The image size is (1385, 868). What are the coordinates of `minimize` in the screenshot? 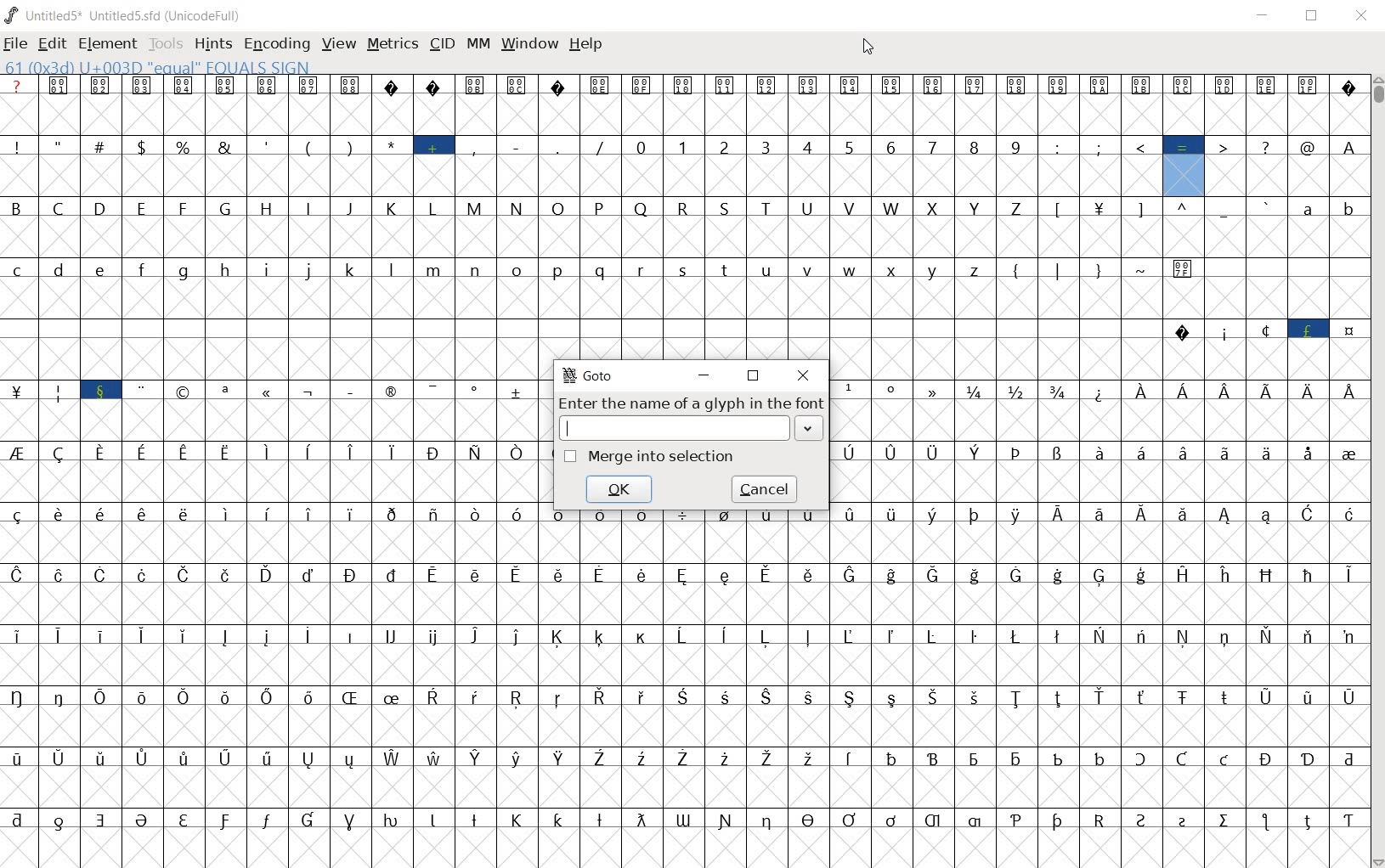 It's located at (1266, 16).